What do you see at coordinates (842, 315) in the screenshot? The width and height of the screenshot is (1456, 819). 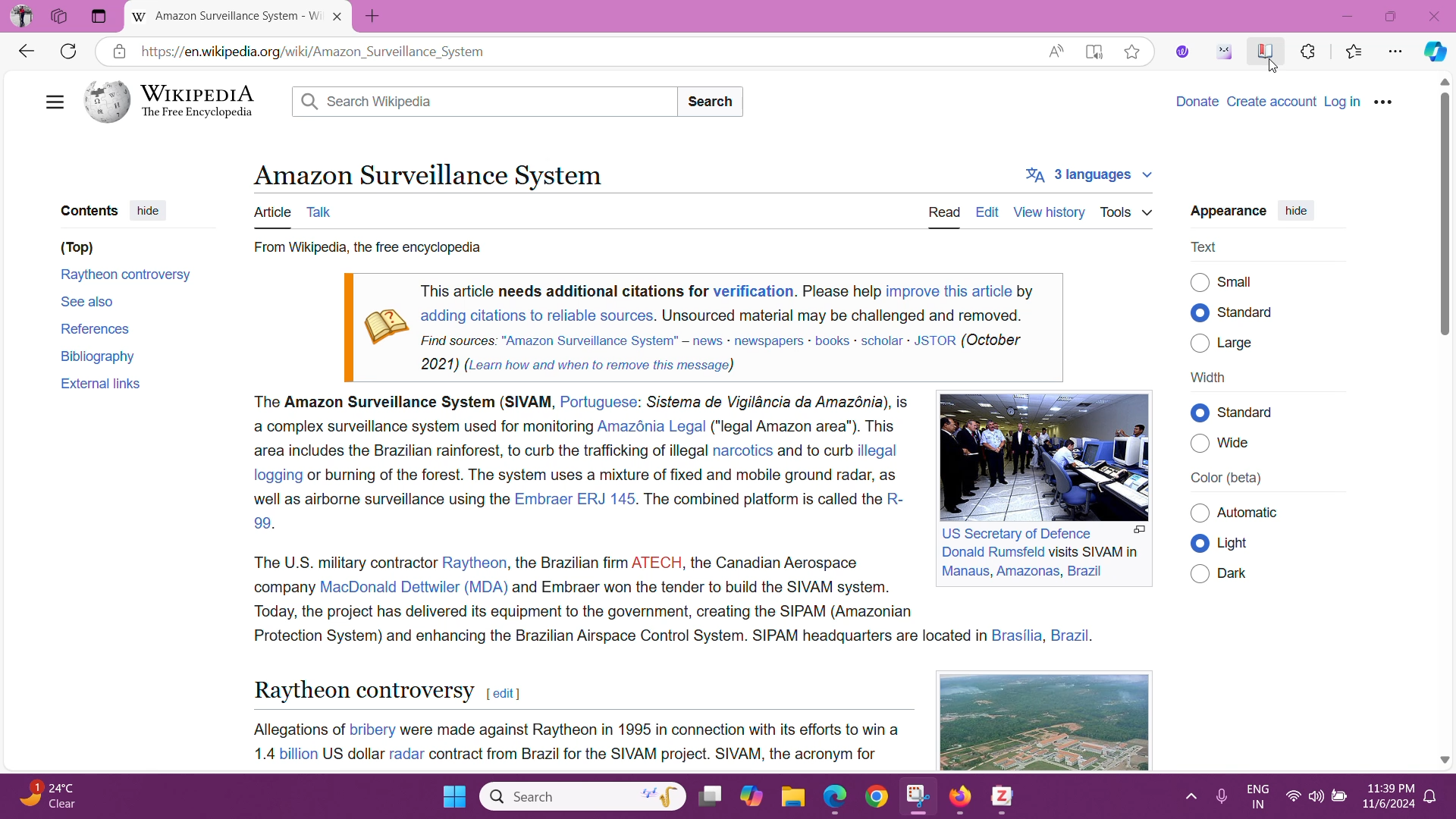 I see `Unsourced material may be challenged and removed.` at bounding box center [842, 315].